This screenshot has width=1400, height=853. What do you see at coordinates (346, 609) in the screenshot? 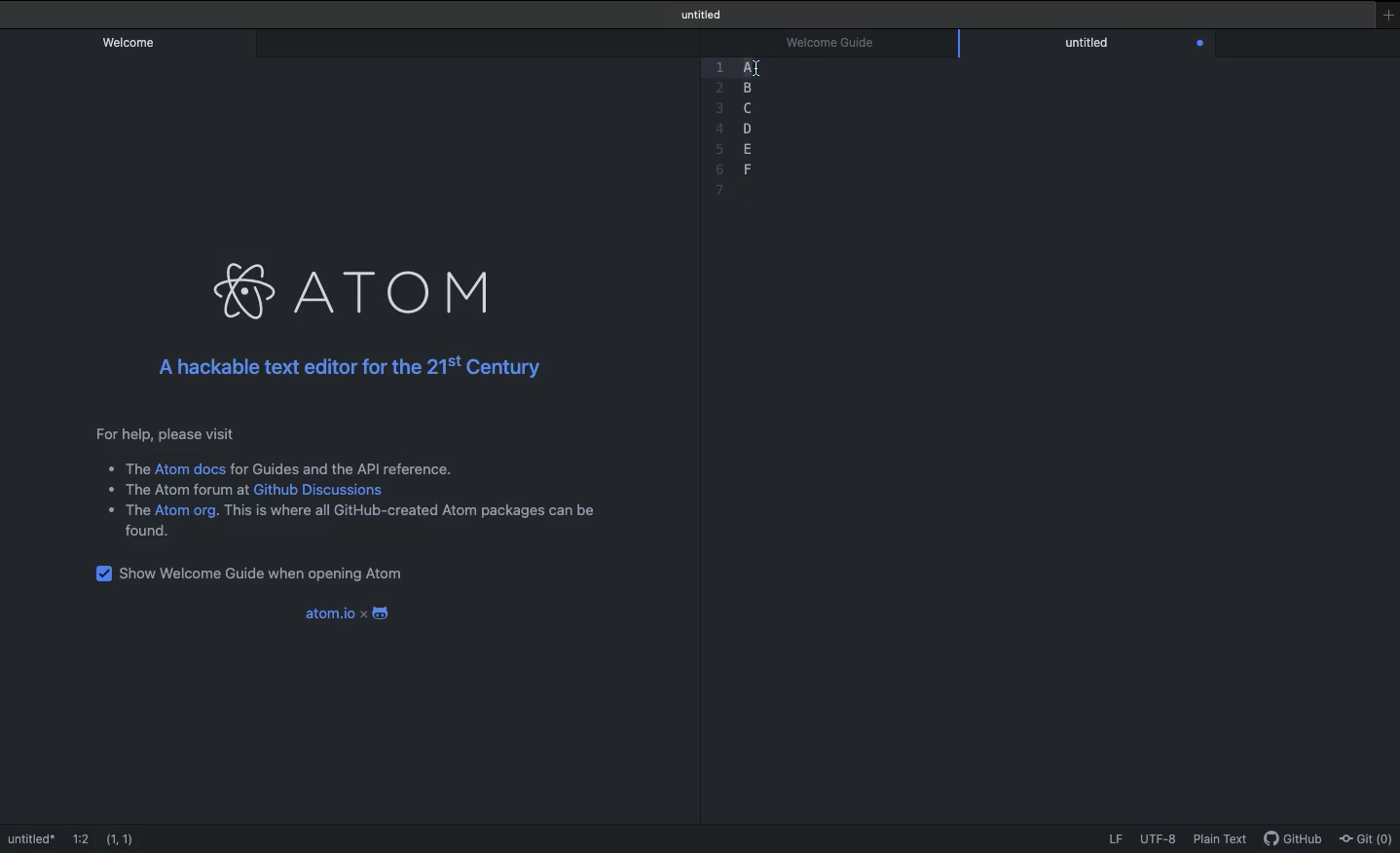
I see `Atom.io x android ` at bounding box center [346, 609].